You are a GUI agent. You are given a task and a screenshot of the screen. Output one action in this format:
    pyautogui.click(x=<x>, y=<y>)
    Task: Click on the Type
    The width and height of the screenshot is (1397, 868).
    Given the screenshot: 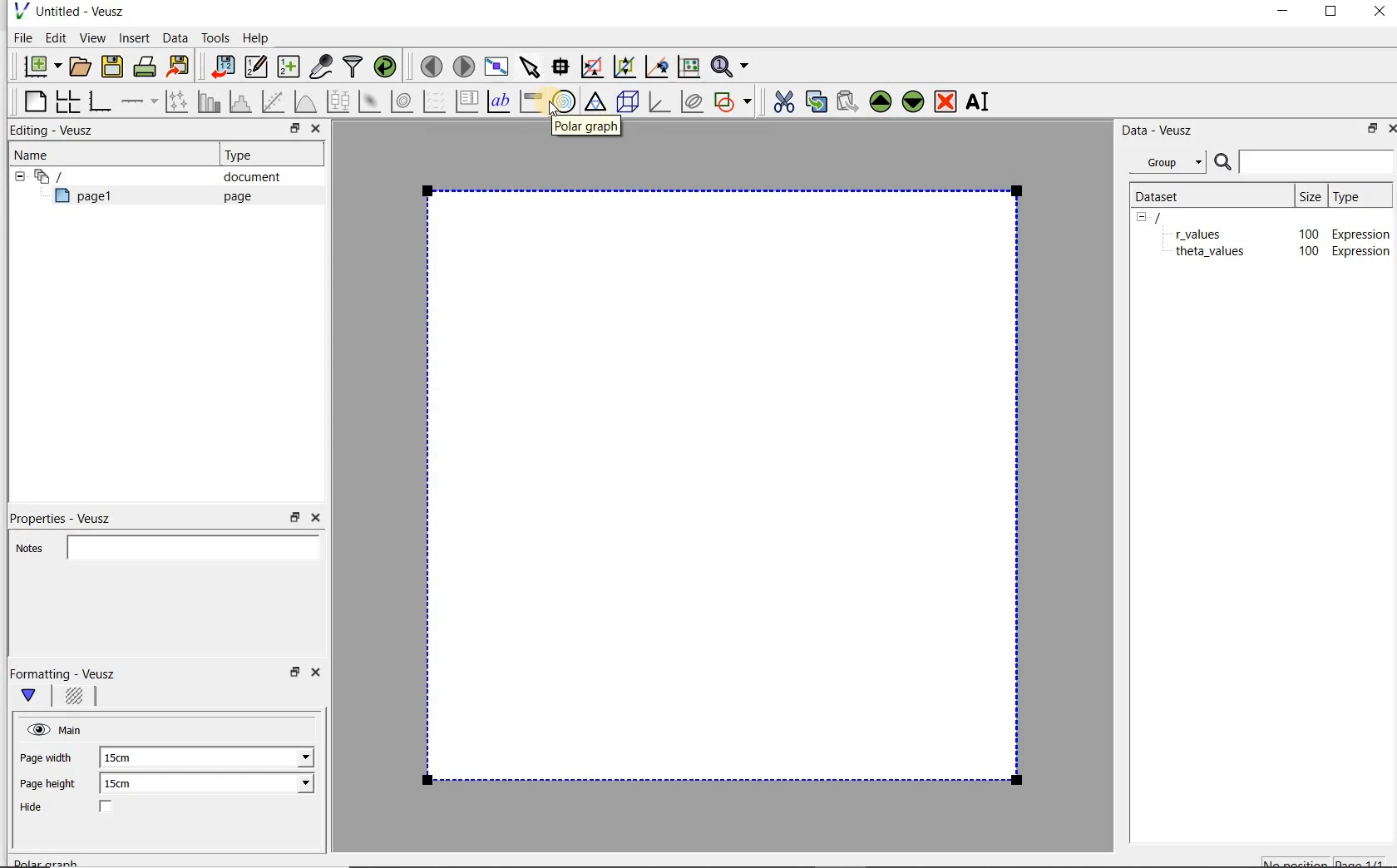 What is the action you would take?
    pyautogui.click(x=245, y=155)
    